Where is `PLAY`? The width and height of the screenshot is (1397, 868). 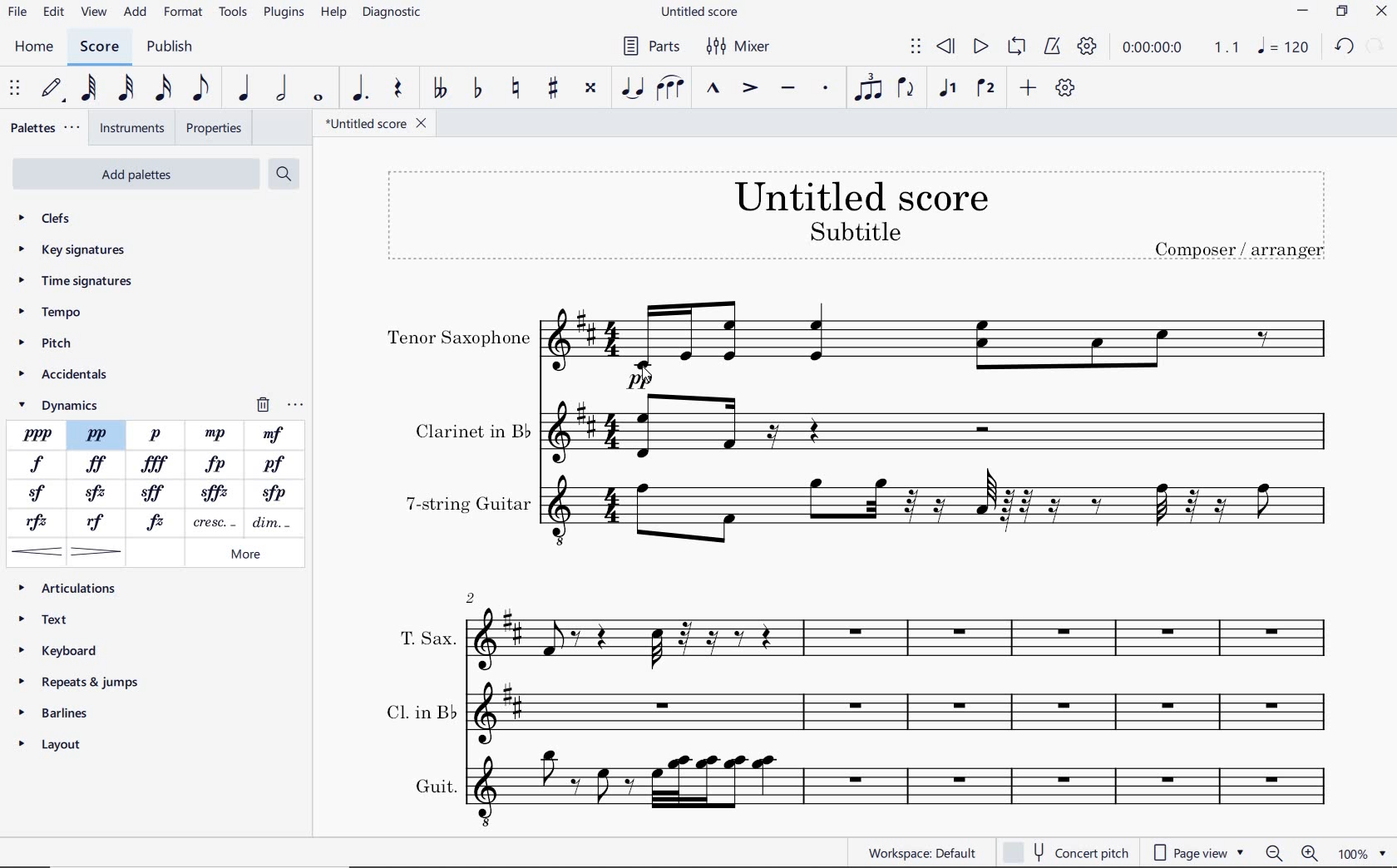
PLAY is located at coordinates (980, 47).